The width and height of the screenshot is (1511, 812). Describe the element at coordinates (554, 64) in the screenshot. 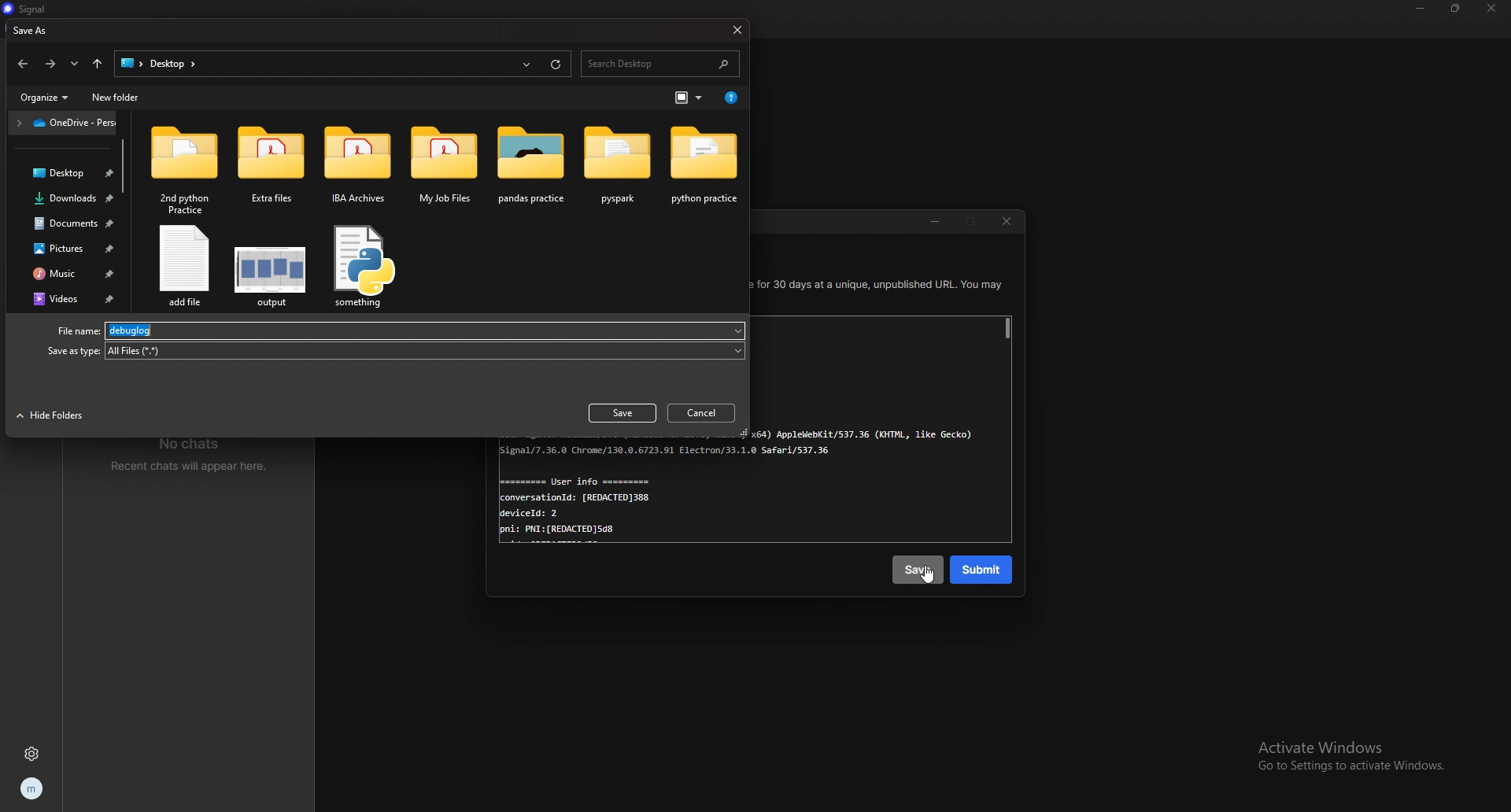

I see `refresh` at that location.